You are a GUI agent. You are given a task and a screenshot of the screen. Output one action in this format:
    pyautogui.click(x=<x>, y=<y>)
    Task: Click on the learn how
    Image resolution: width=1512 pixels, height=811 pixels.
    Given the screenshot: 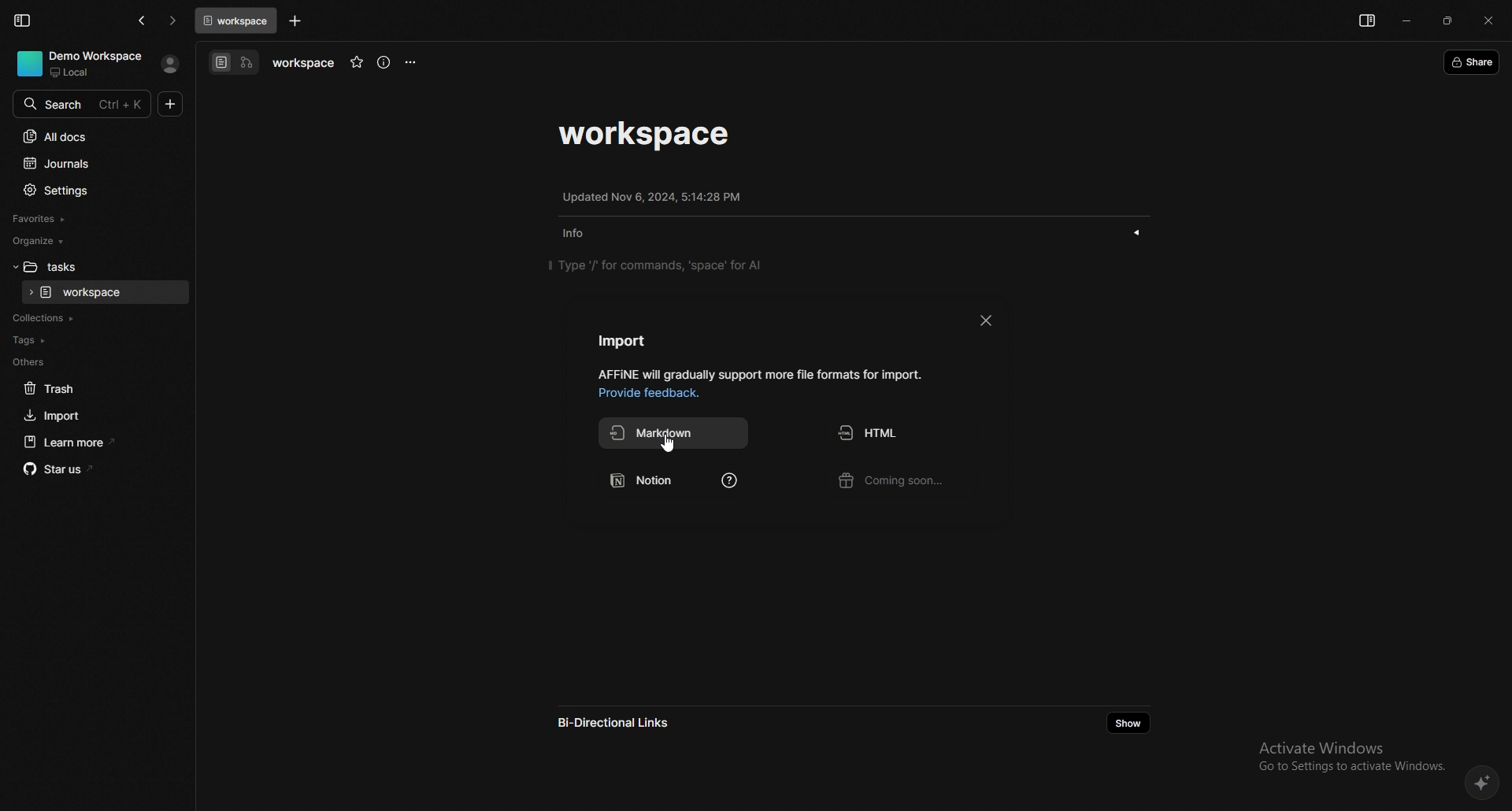 What is the action you would take?
    pyautogui.click(x=728, y=483)
    